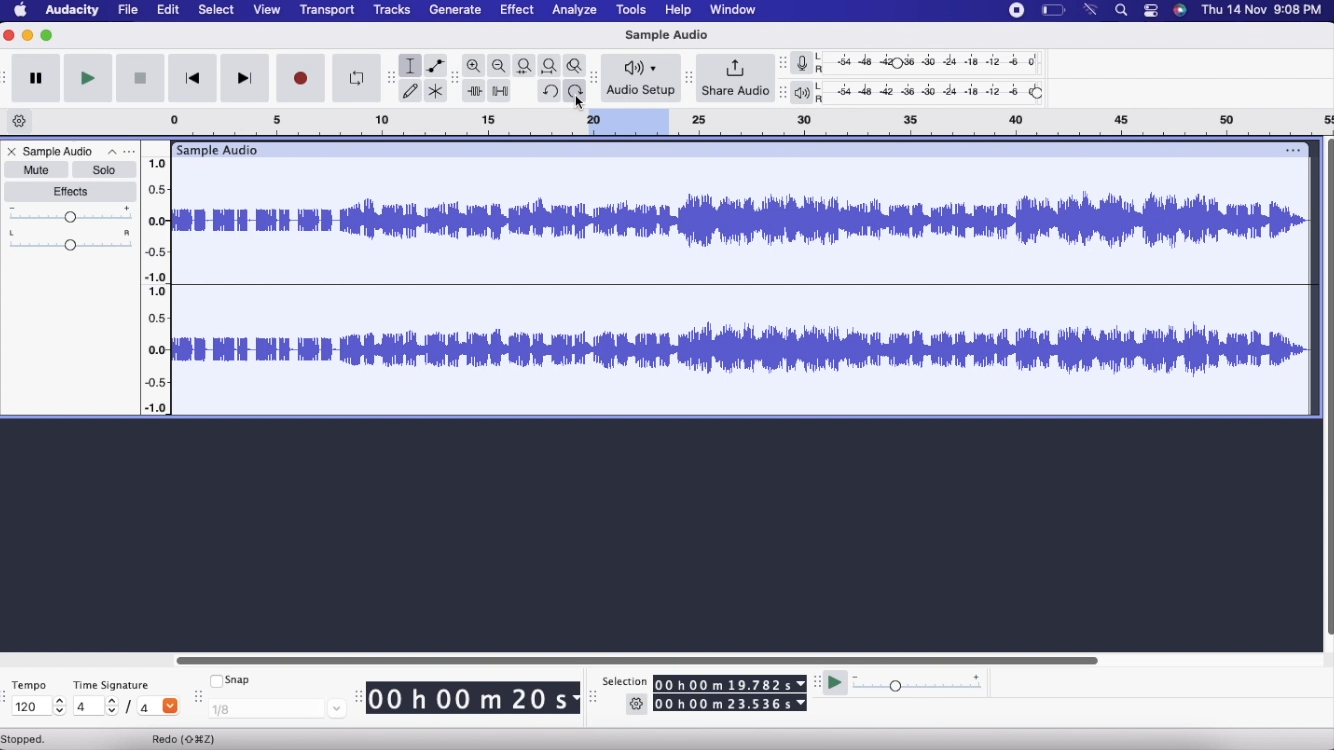 The height and width of the screenshot is (750, 1334). Describe the element at coordinates (640, 78) in the screenshot. I see `Audio Setup` at that location.